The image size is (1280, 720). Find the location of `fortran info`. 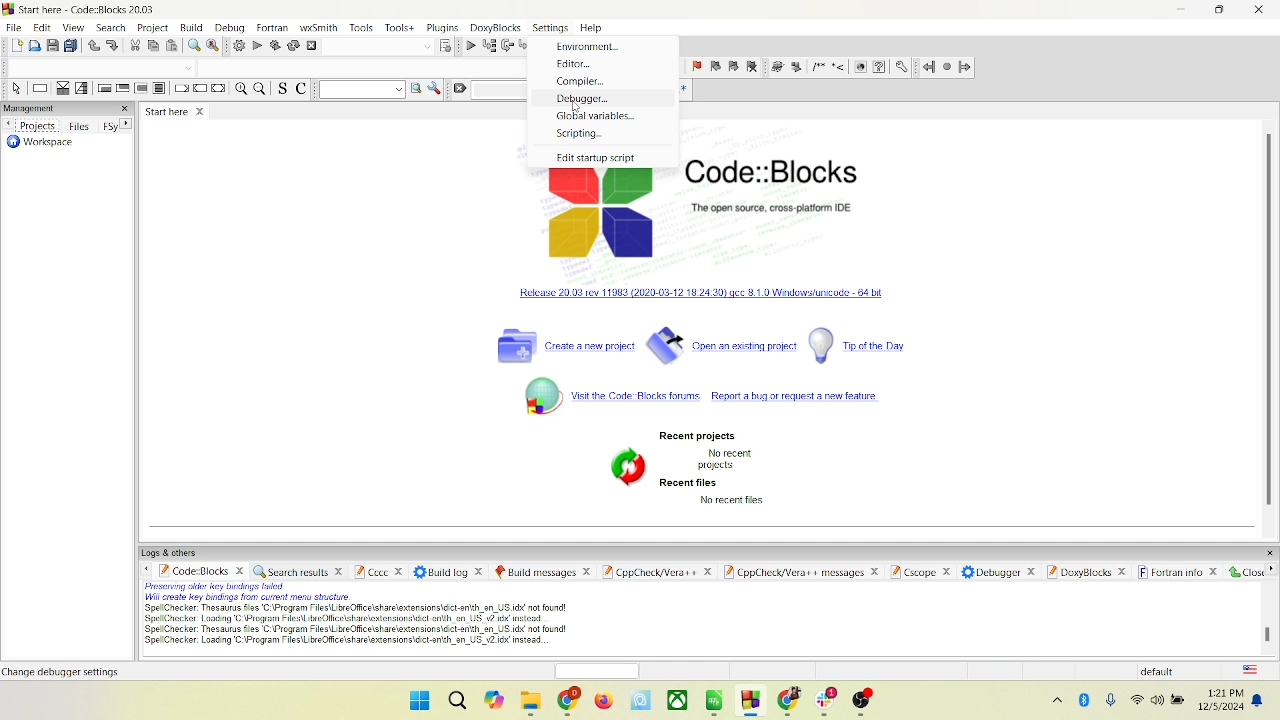

fortran info is located at coordinates (1180, 572).